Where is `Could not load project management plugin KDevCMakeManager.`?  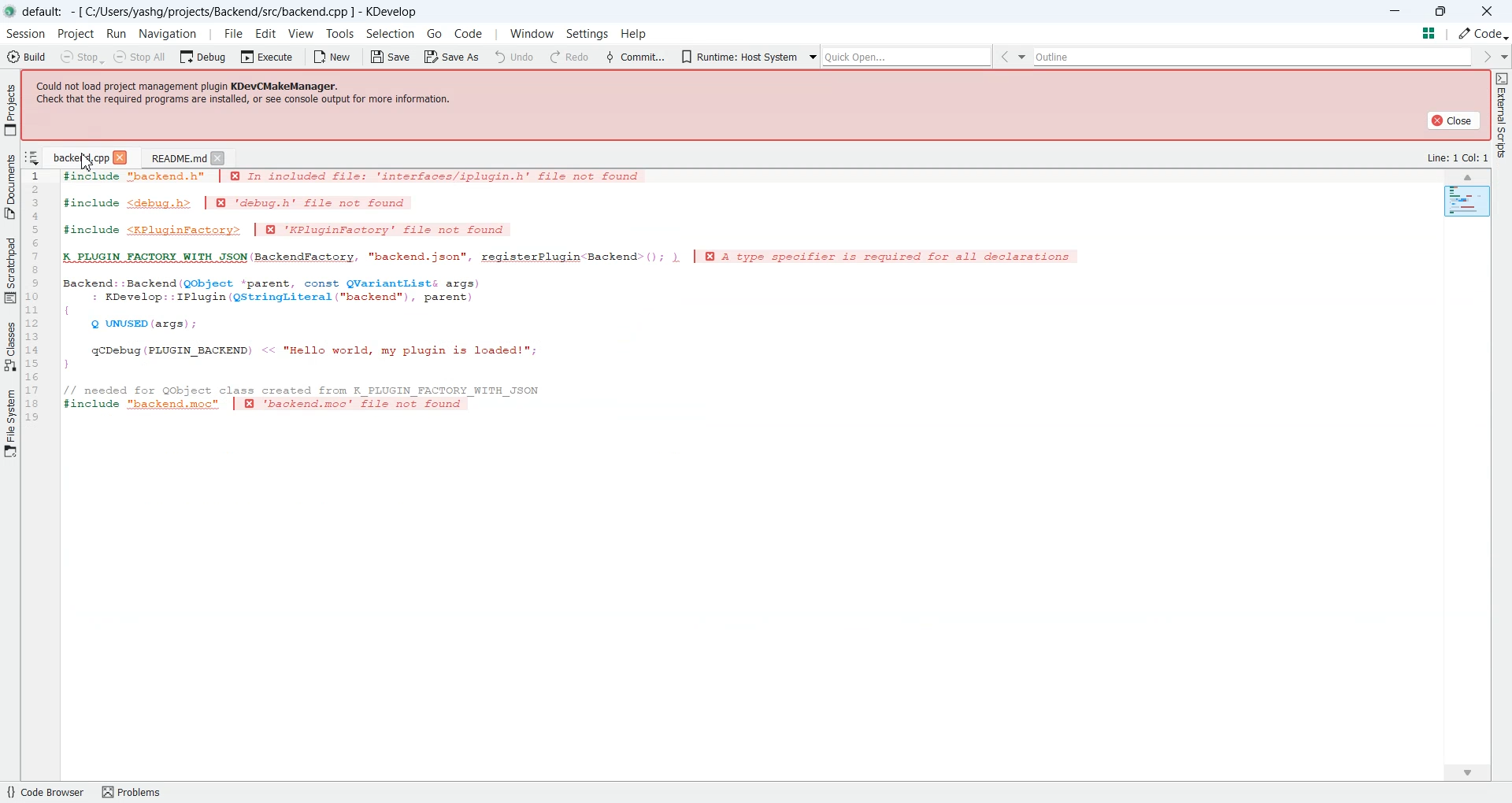 Could not load project management plugin KDevCMakeManager. is located at coordinates (196, 84).